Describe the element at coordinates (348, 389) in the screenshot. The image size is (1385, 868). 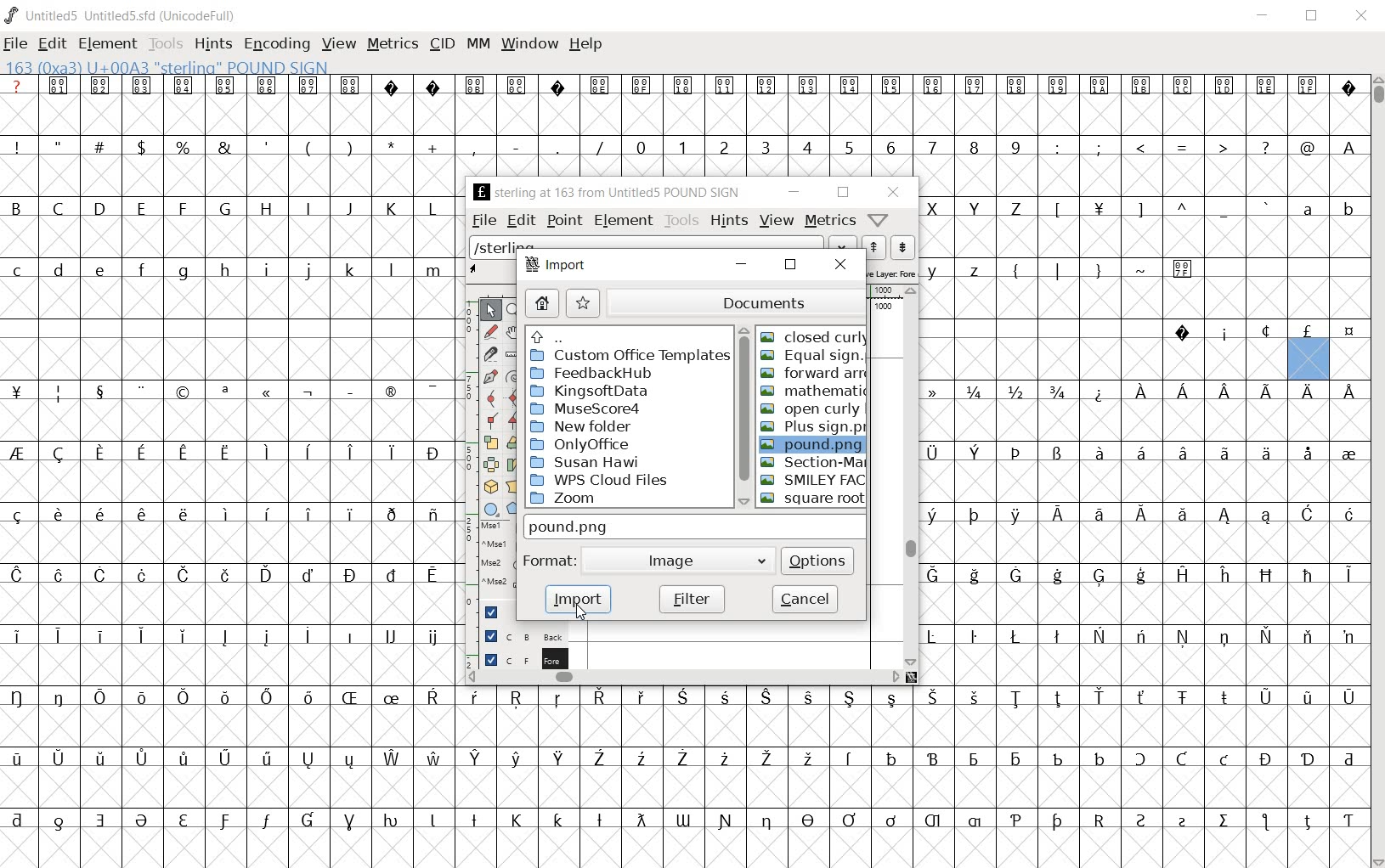
I see `Symbol` at that location.